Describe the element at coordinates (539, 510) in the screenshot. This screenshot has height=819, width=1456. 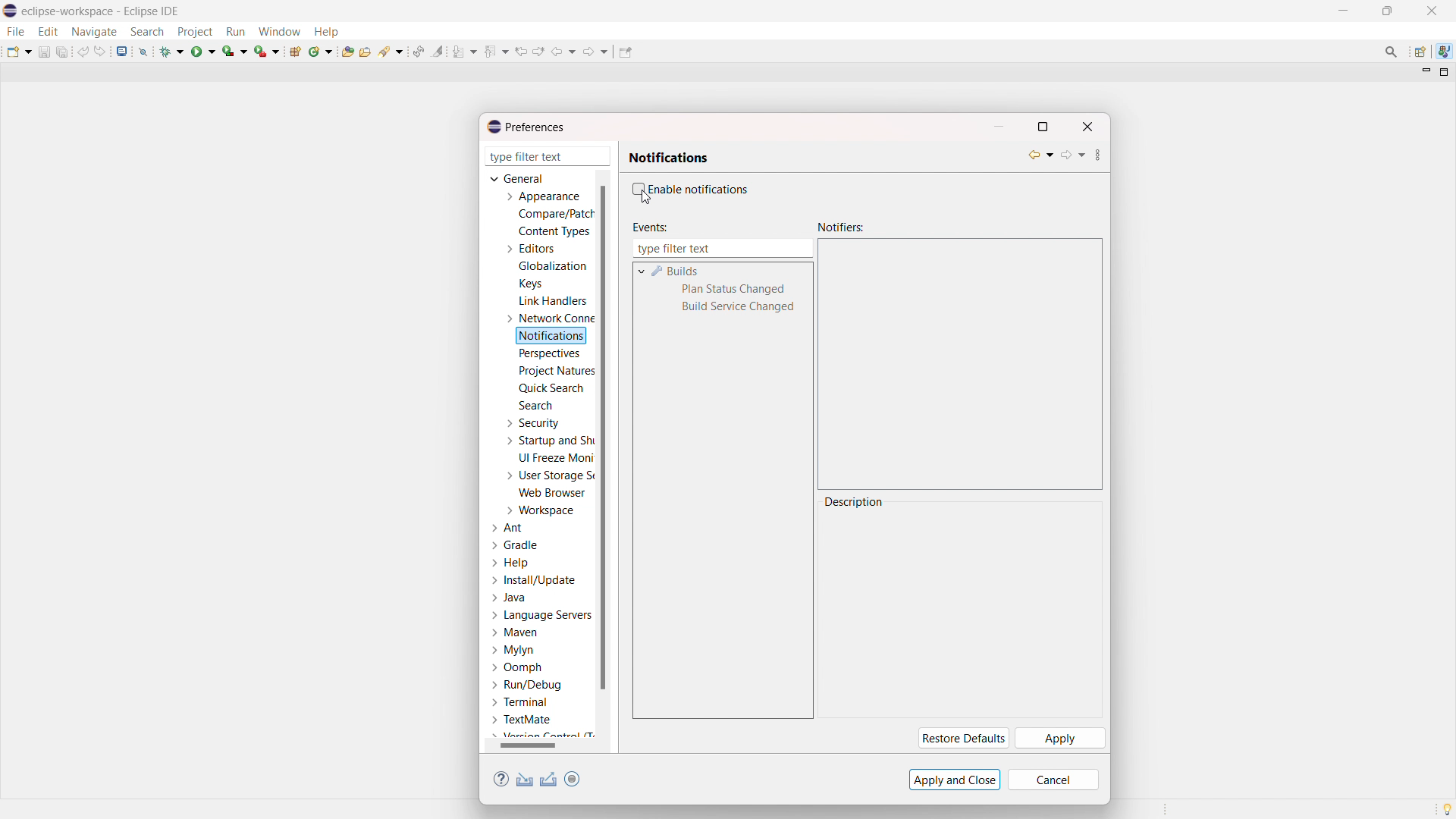
I see `workspace` at that location.